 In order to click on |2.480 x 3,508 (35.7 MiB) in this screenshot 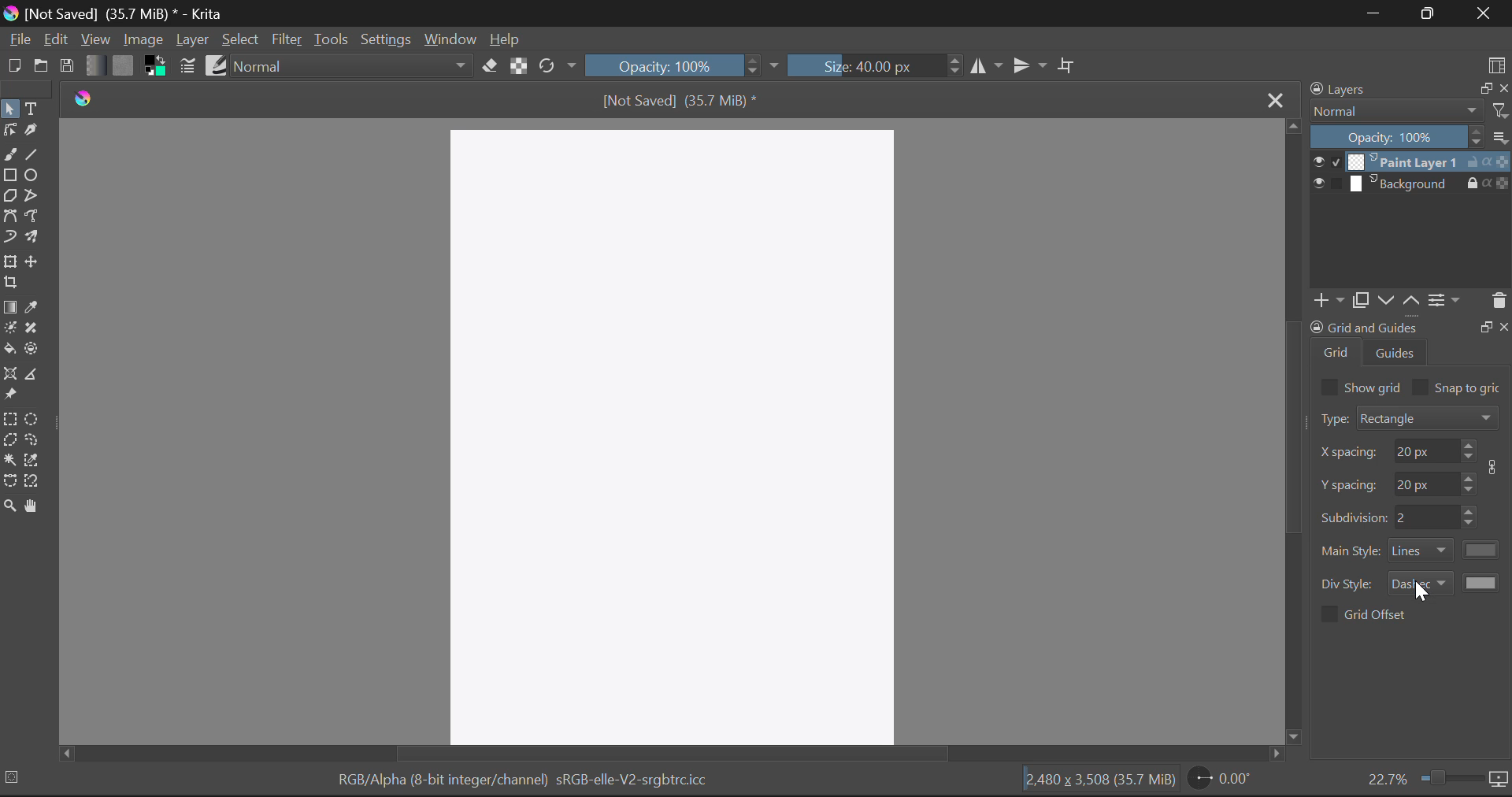, I will do `click(1099, 781)`.